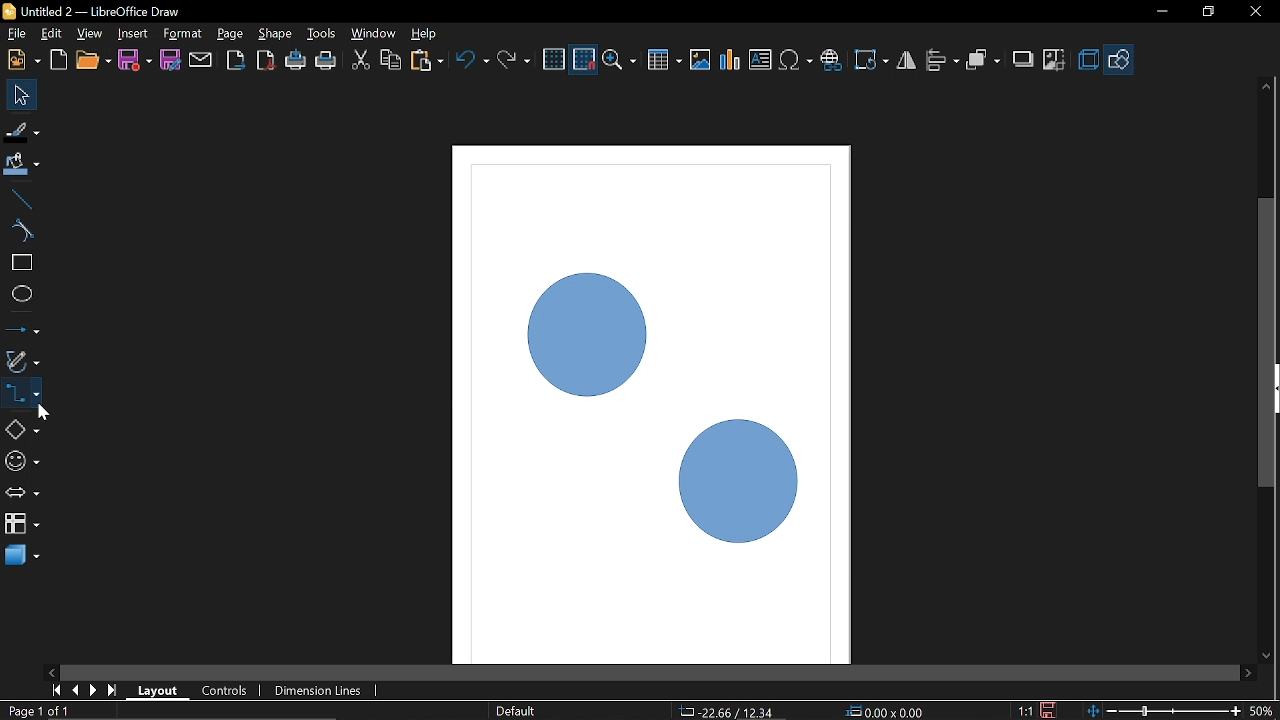 The image size is (1280, 720). What do you see at coordinates (131, 33) in the screenshot?
I see `Insert` at bounding box center [131, 33].